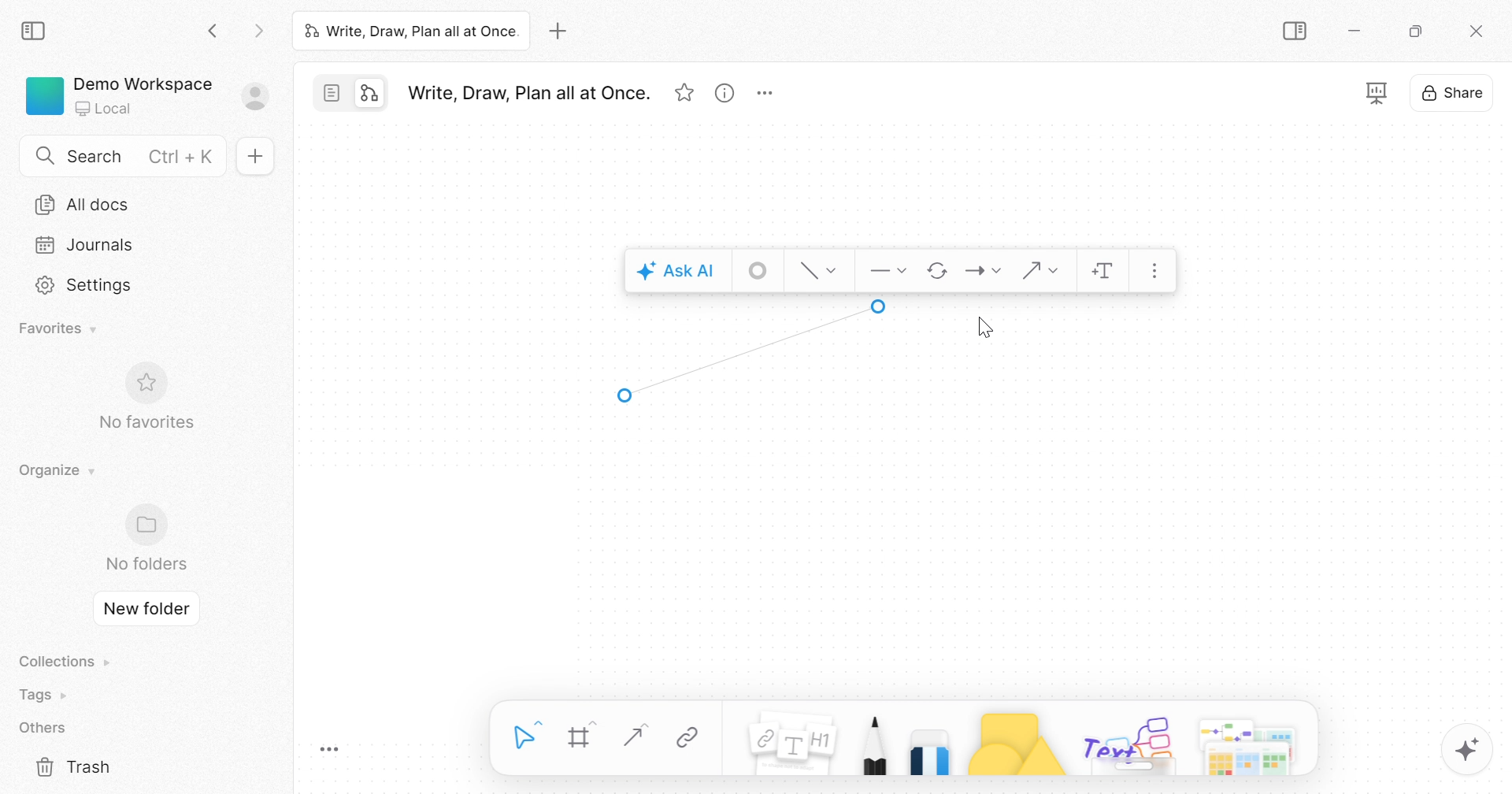  What do you see at coordinates (755, 352) in the screenshot?
I see `Arrow` at bounding box center [755, 352].